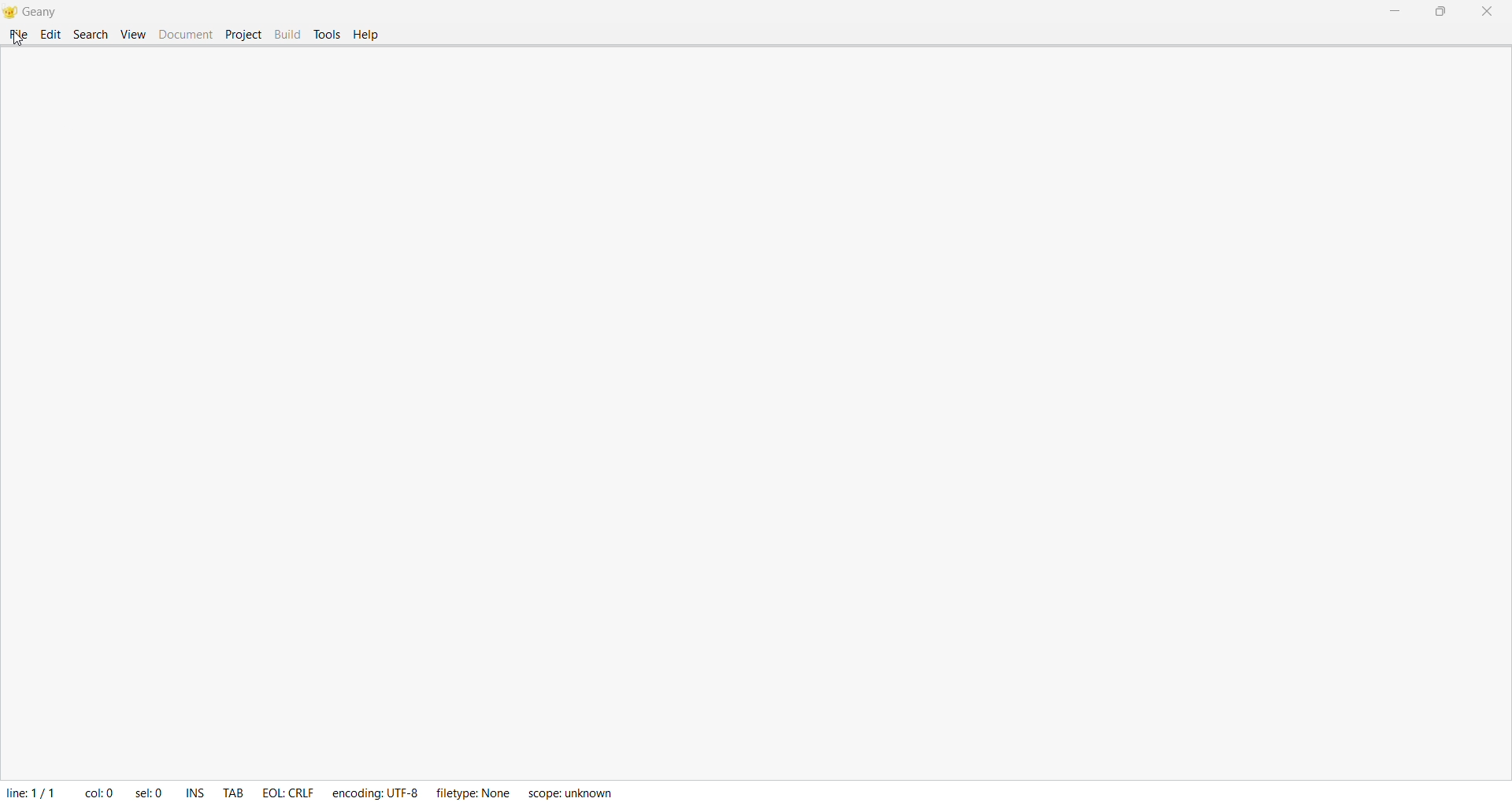  What do you see at coordinates (377, 793) in the screenshot?
I see `encoding: UTF-8` at bounding box center [377, 793].